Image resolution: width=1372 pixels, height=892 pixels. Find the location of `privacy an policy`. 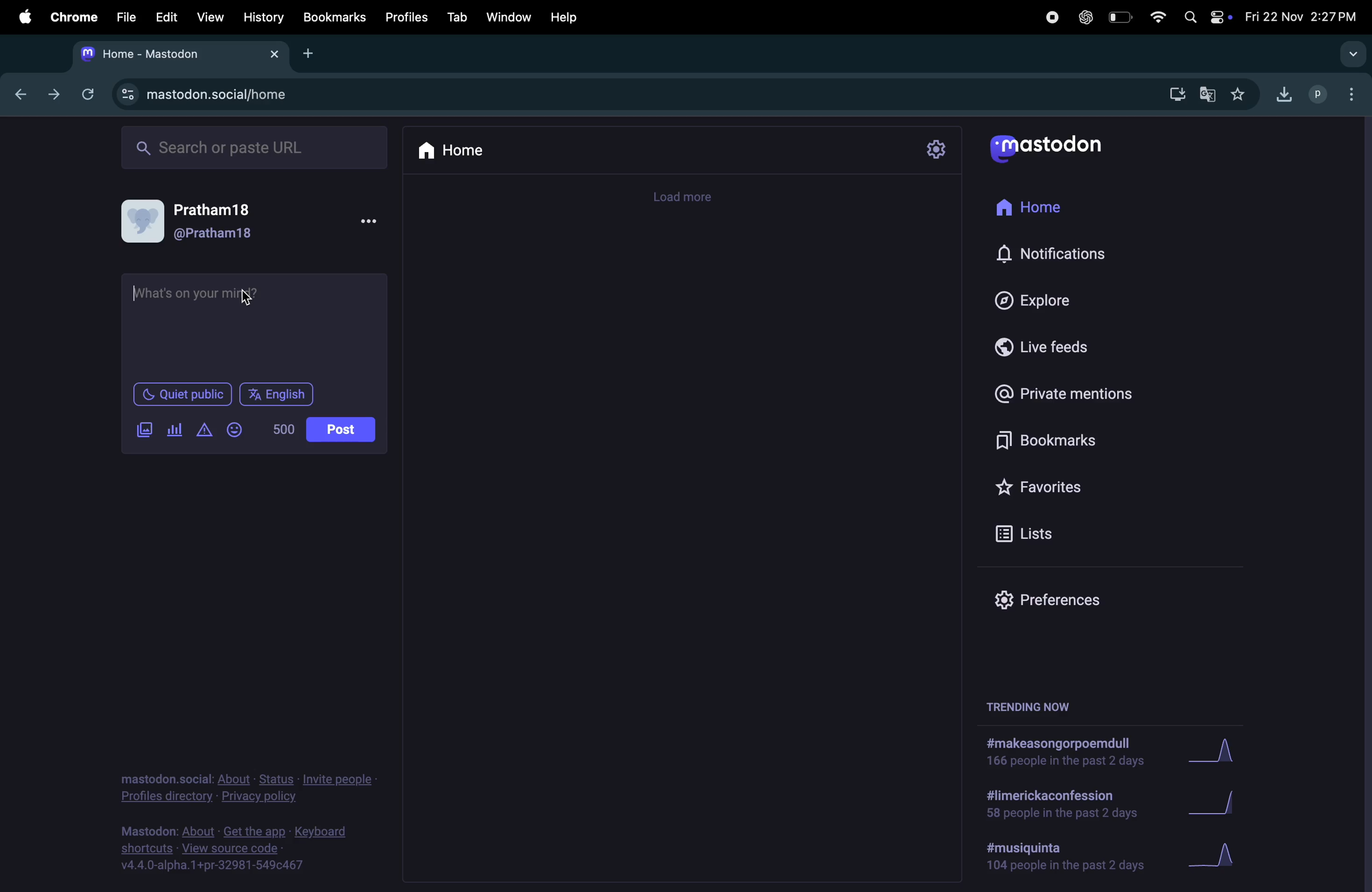

privacy an policy is located at coordinates (247, 789).